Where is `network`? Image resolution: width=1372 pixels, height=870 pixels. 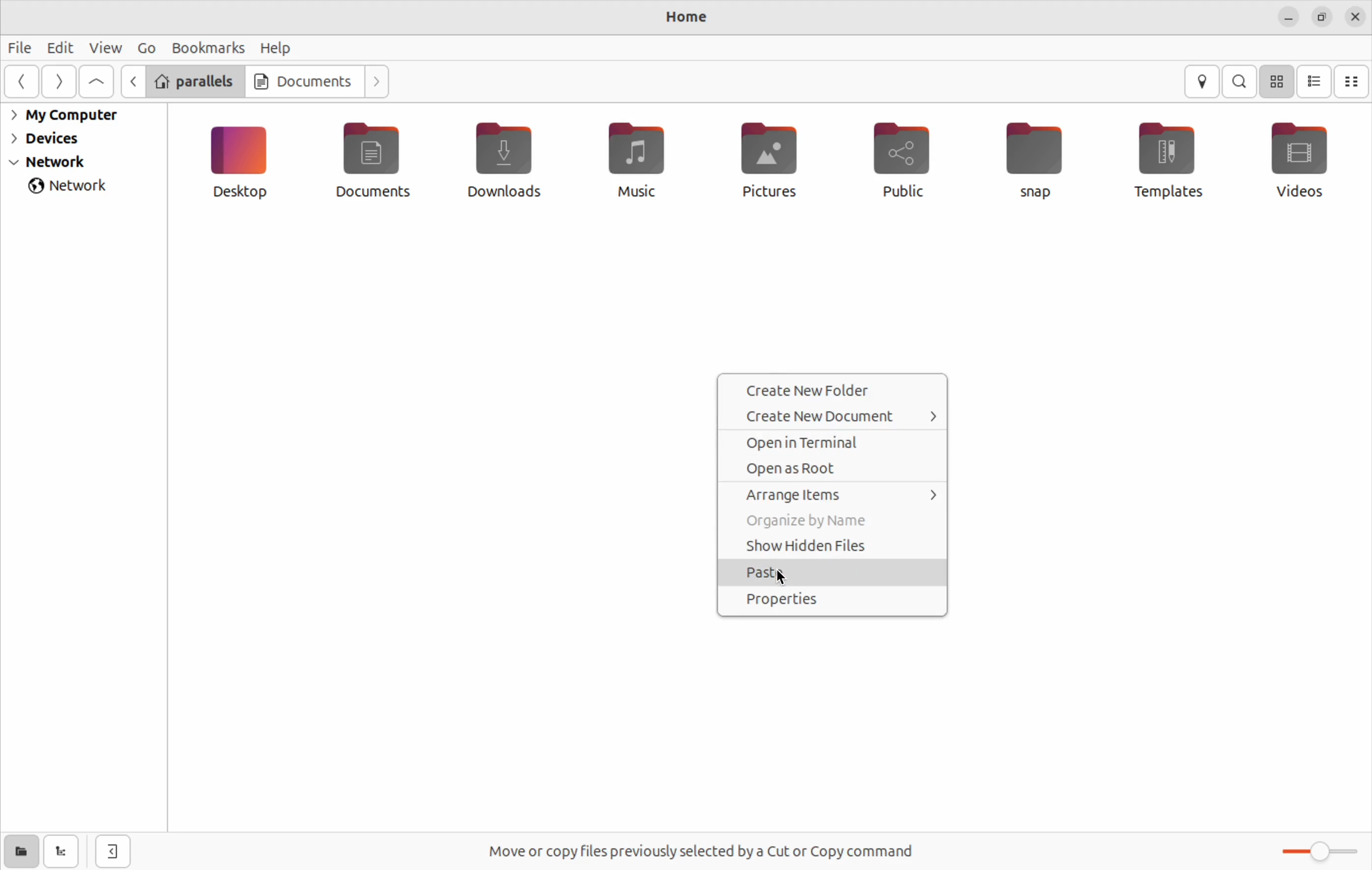
network is located at coordinates (67, 162).